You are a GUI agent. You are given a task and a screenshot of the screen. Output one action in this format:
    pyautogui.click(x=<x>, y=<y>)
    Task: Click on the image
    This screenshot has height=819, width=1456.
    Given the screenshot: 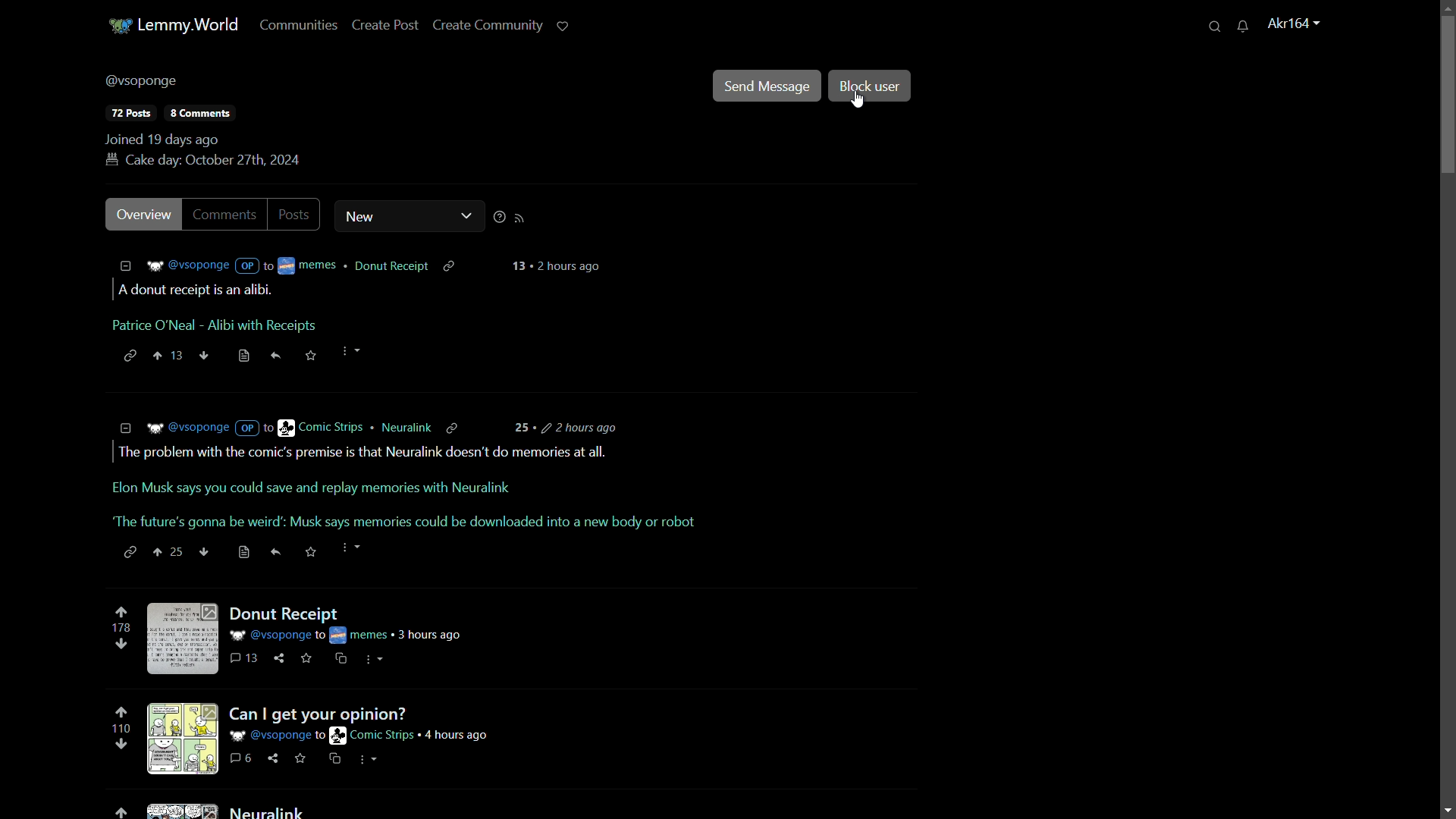 What is the action you would take?
    pyautogui.click(x=185, y=737)
    